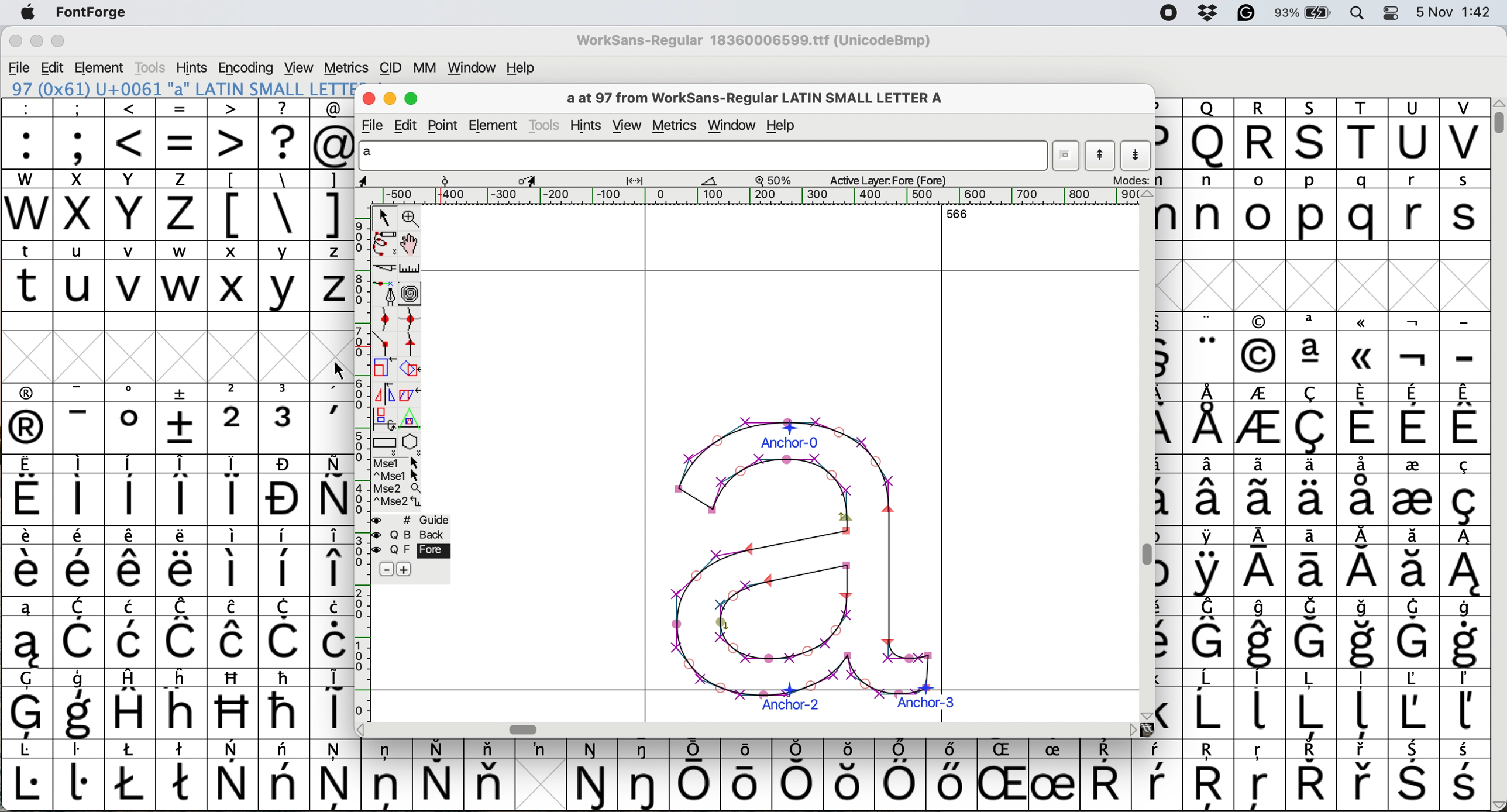 Image resolution: width=1507 pixels, height=812 pixels. I want to click on , so click(234, 703).